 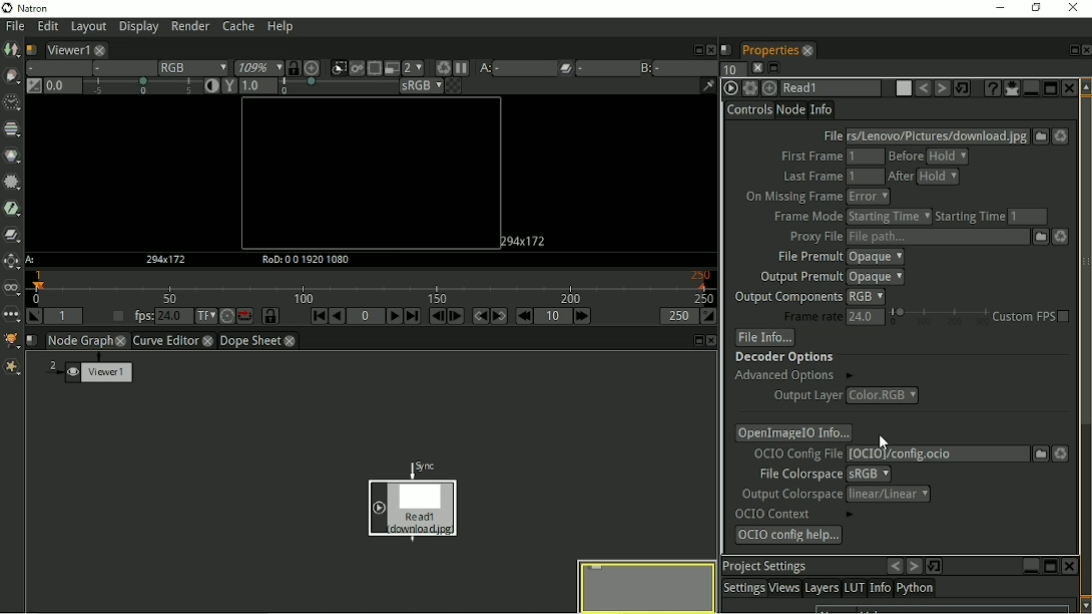 What do you see at coordinates (883, 442) in the screenshot?
I see `Cursor` at bounding box center [883, 442].